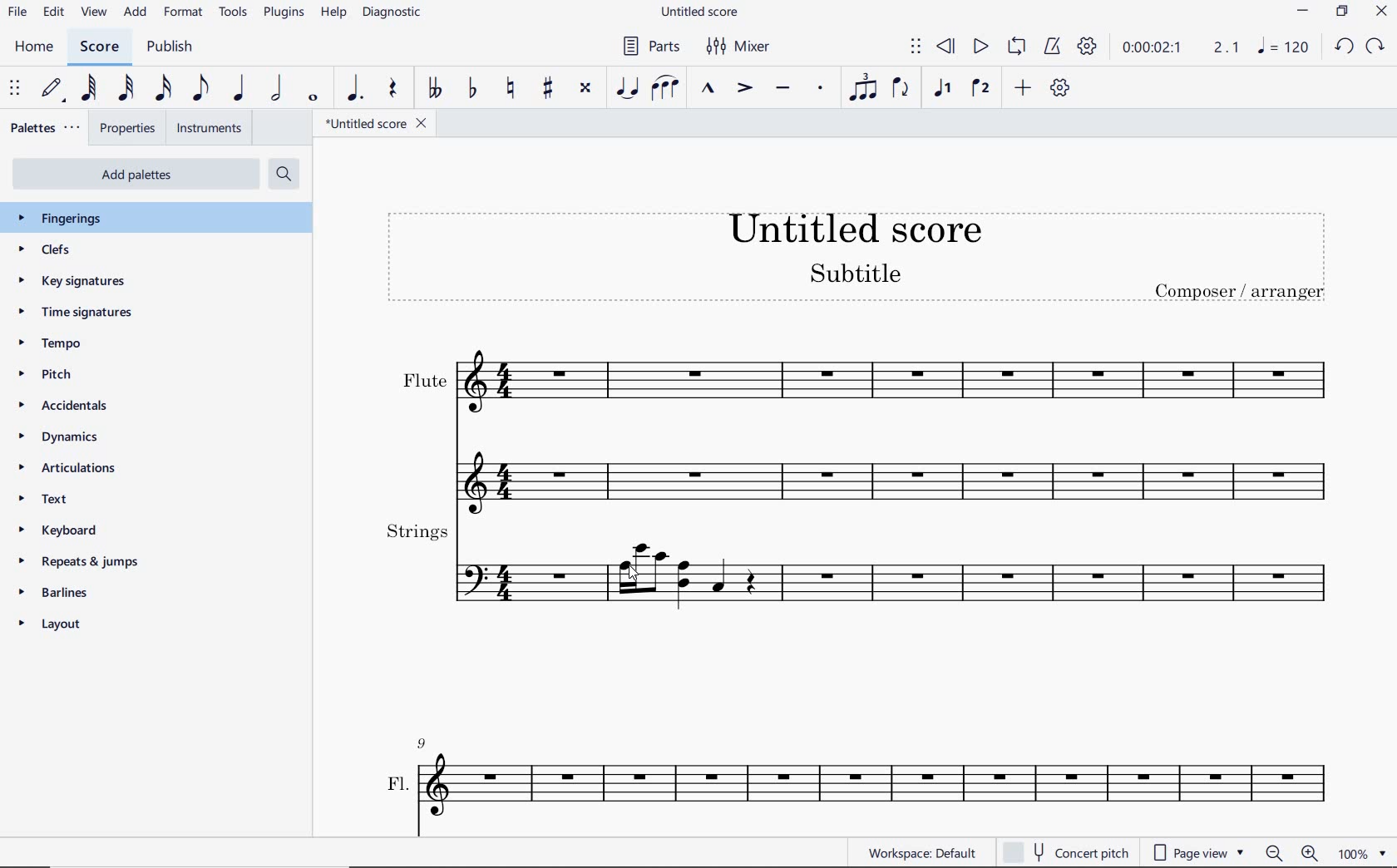  Describe the element at coordinates (33, 47) in the screenshot. I see `home` at that location.